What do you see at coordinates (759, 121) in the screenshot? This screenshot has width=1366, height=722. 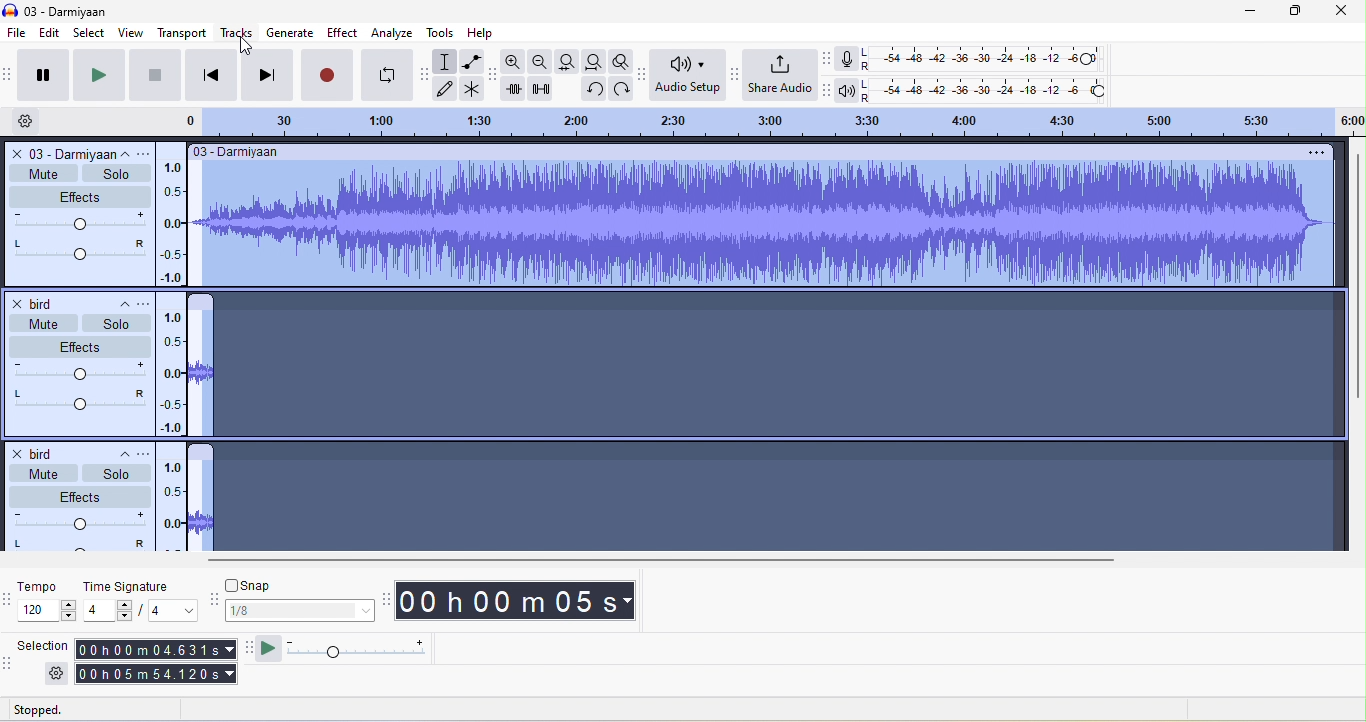 I see `click and drag to define a looping region` at bounding box center [759, 121].